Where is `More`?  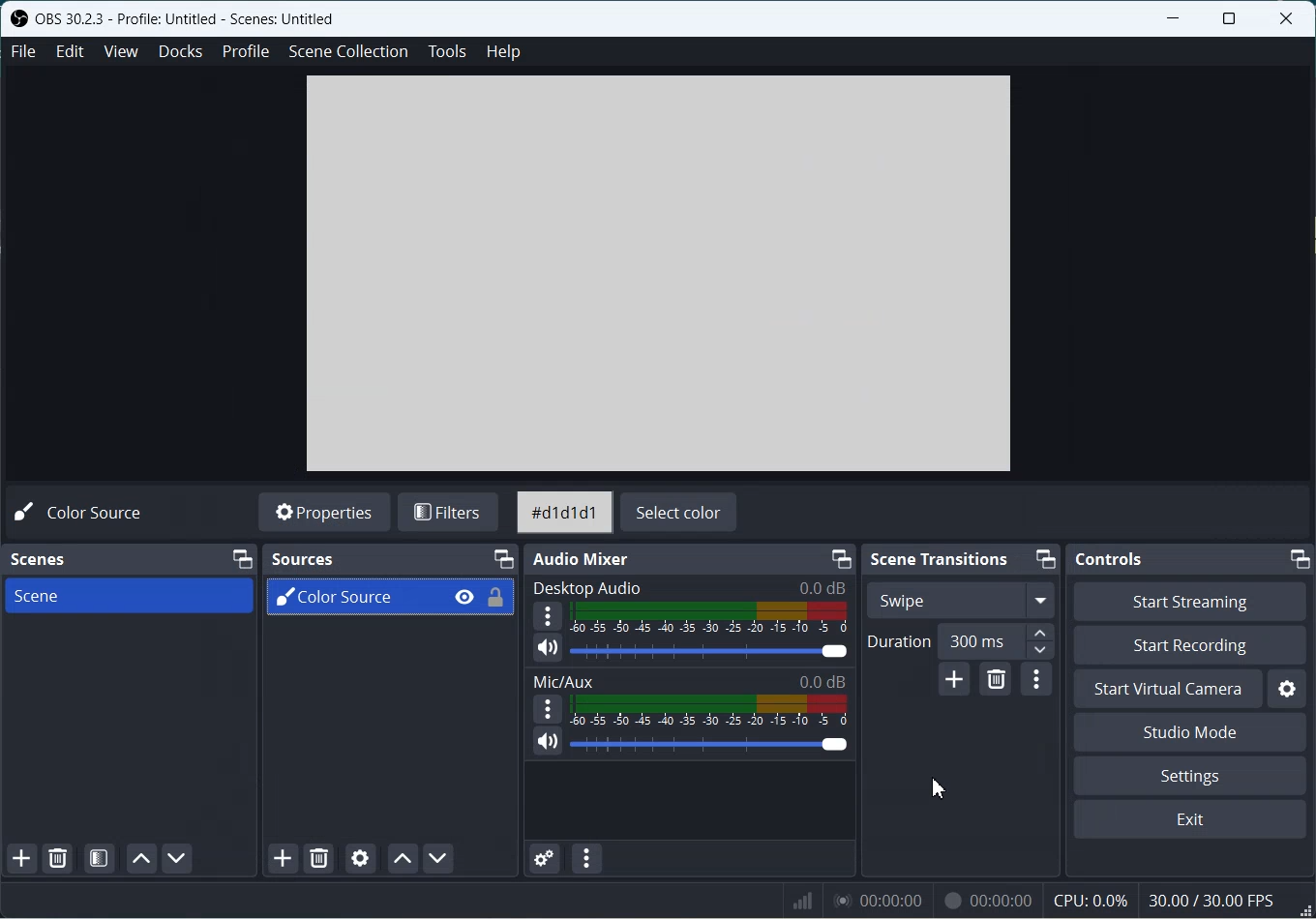
More is located at coordinates (546, 616).